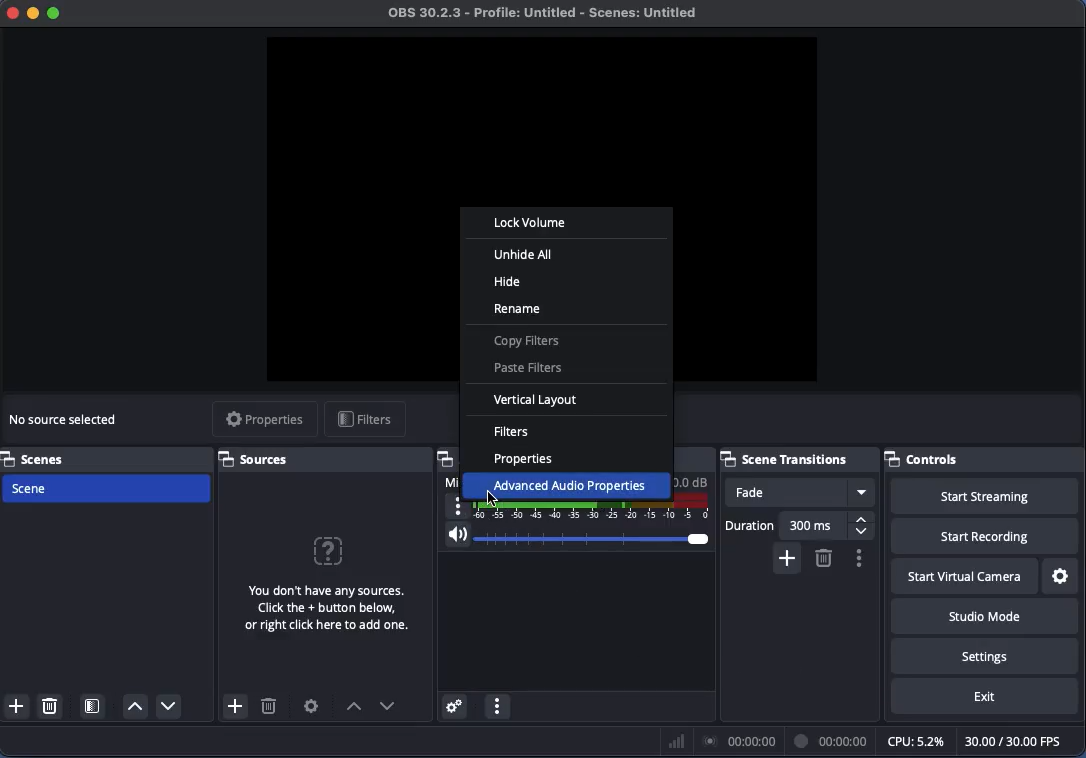 The height and width of the screenshot is (758, 1086). What do you see at coordinates (985, 655) in the screenshot?
I see `Settings` at bounding box center [985, 655].